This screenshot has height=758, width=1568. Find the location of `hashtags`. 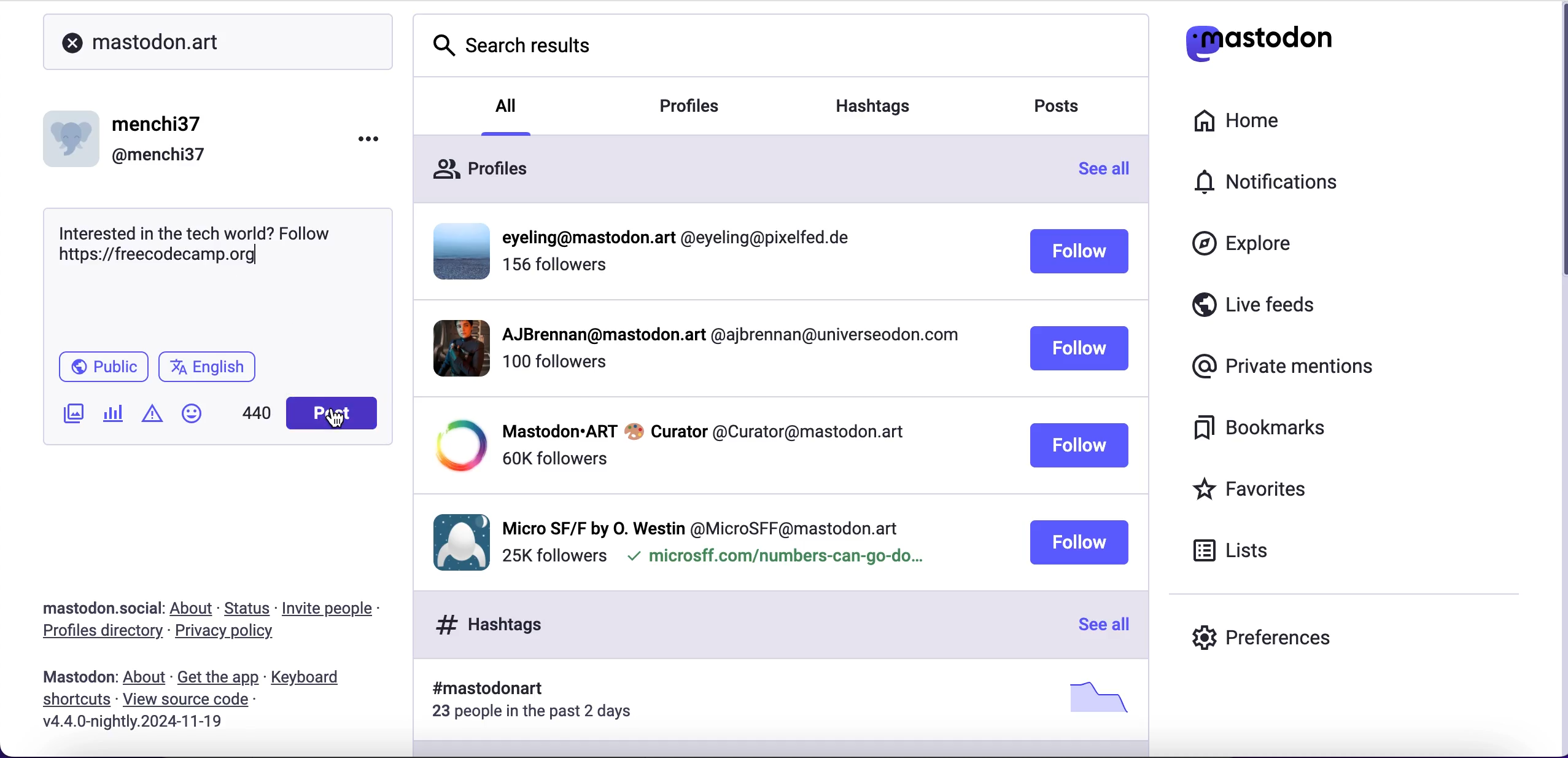

hashtags is located at coordinates (784, 705).